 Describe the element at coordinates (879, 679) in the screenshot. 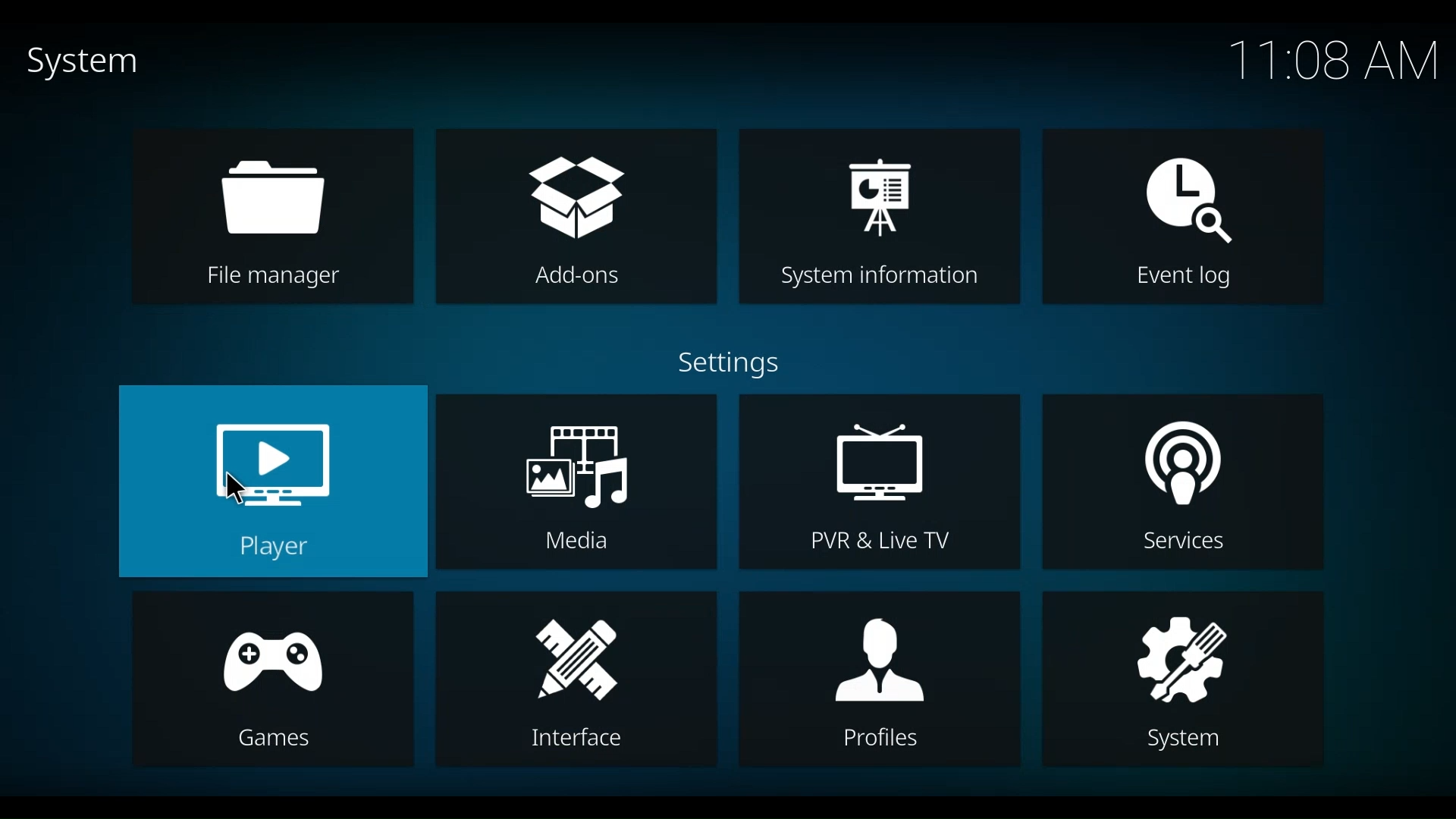

I see `Profiles` at that location.